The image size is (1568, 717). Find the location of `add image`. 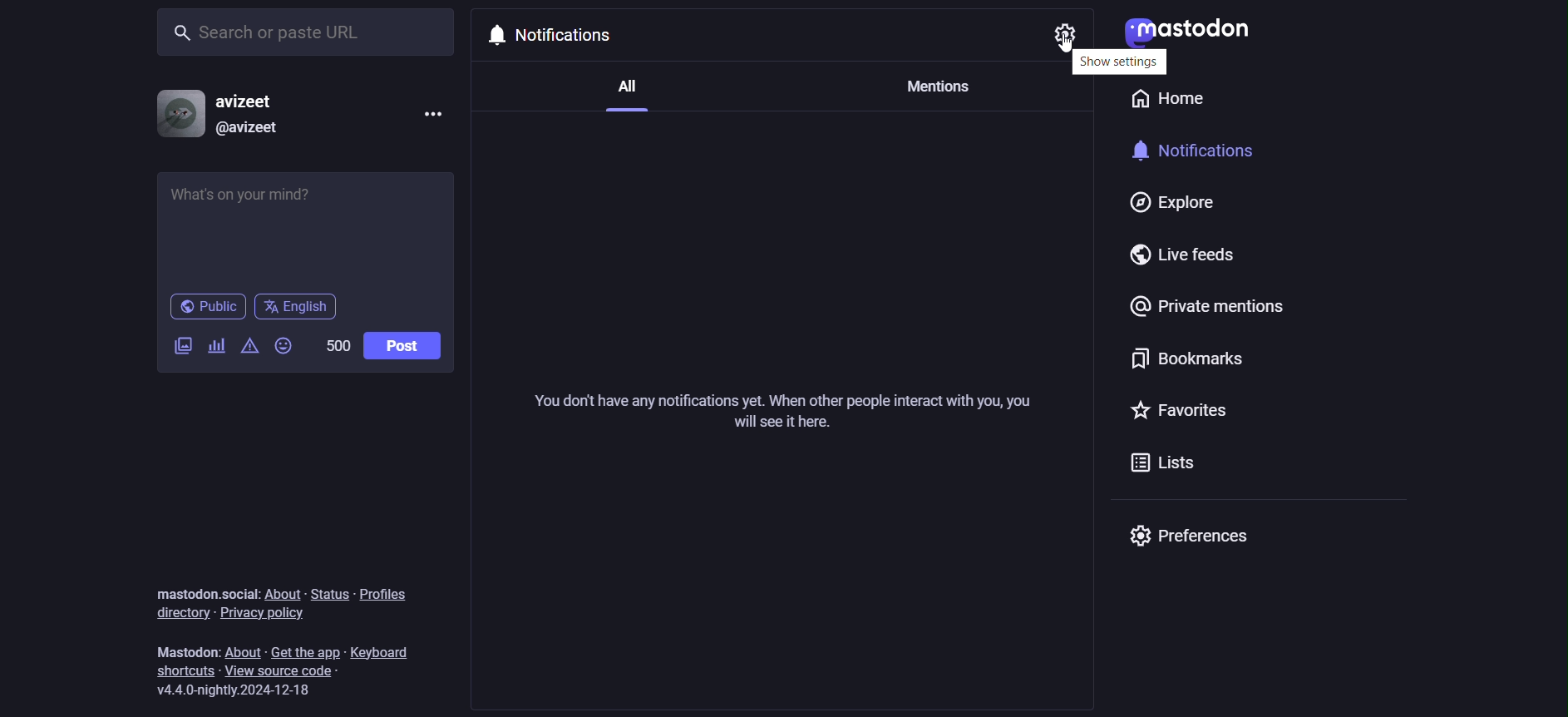

add image is located at coordinates (184, 346).